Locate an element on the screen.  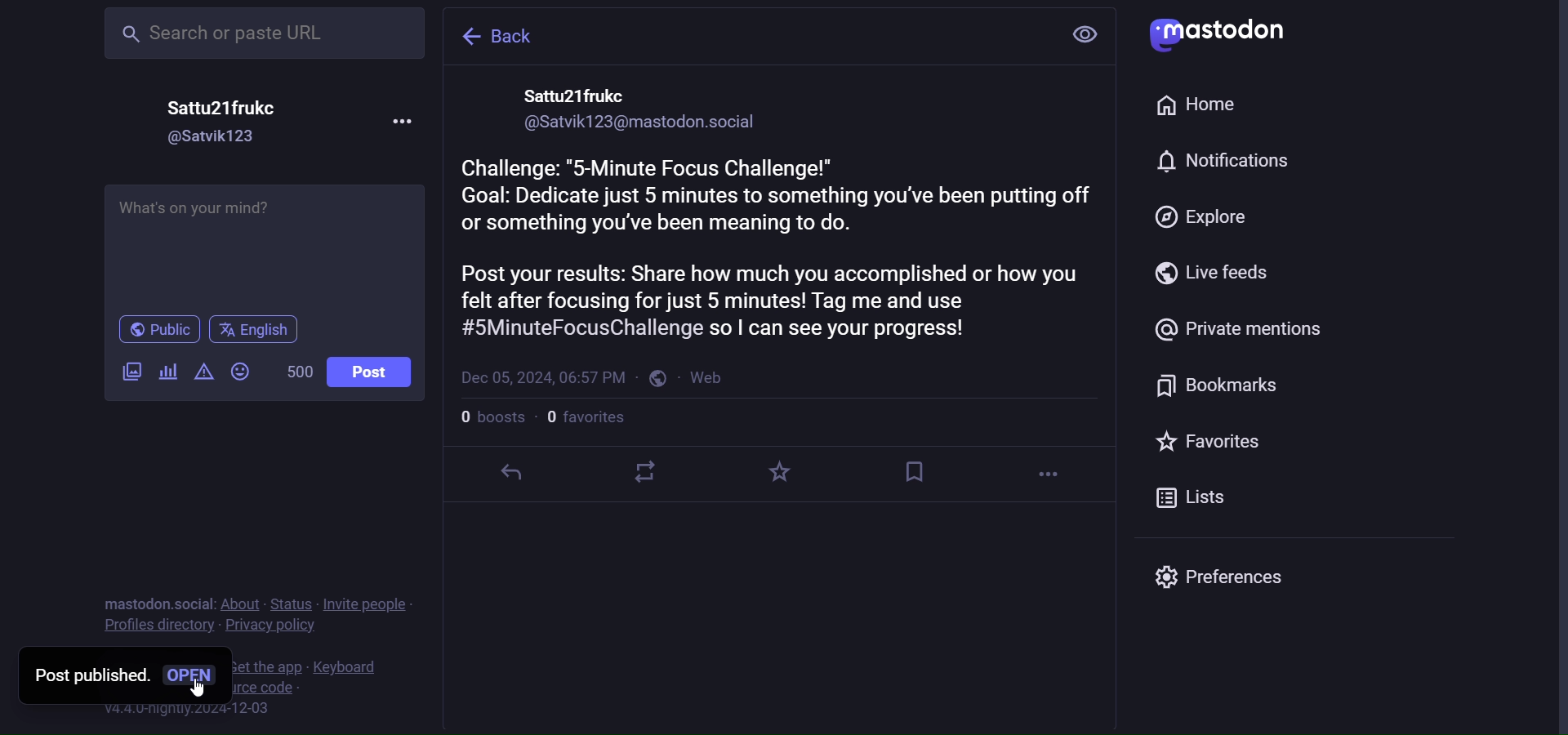
profiles is located at coordinates (157, 627).